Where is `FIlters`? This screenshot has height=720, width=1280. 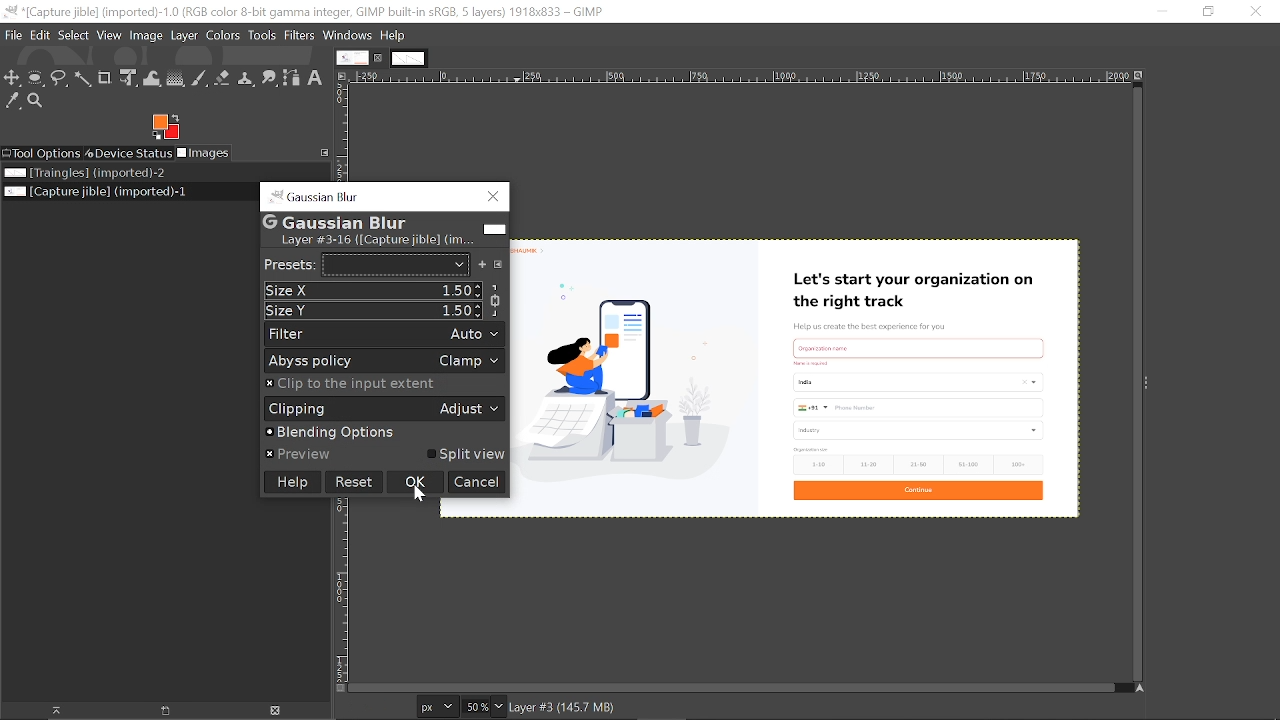 FIlters is located at coordinates (301, 35).